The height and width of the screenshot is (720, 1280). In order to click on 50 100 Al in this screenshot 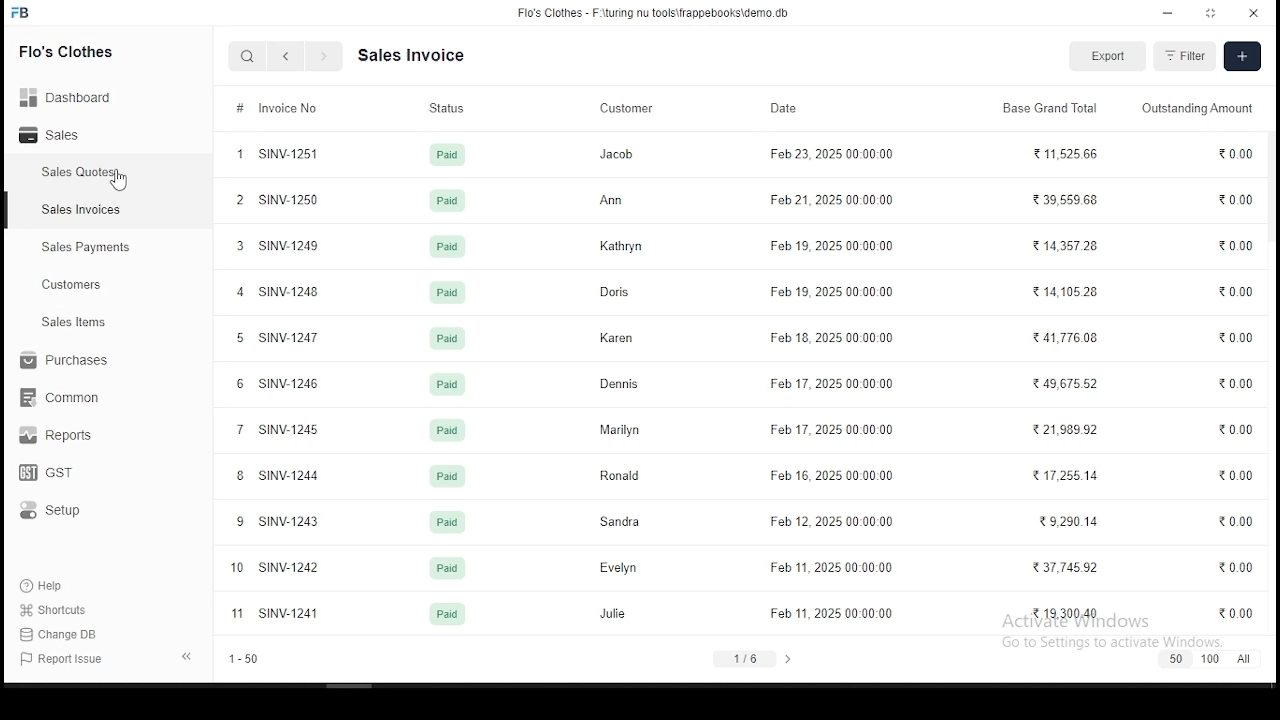, I will do `click(1209, 658)`.